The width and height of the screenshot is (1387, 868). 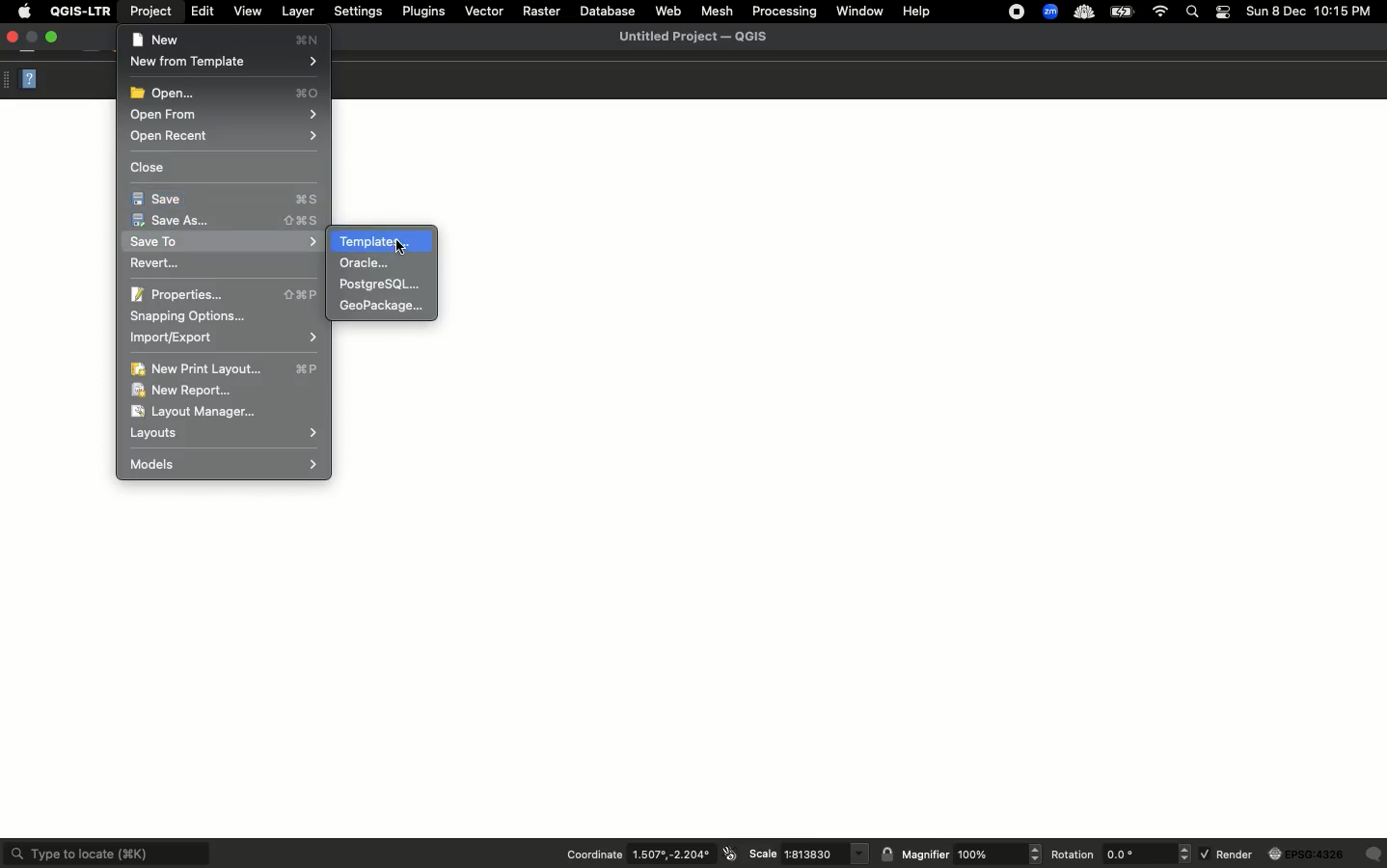 What do you see at coordinates (224, 338) in the screenshot?
I see `Import export` at bounding box center [224, 338].